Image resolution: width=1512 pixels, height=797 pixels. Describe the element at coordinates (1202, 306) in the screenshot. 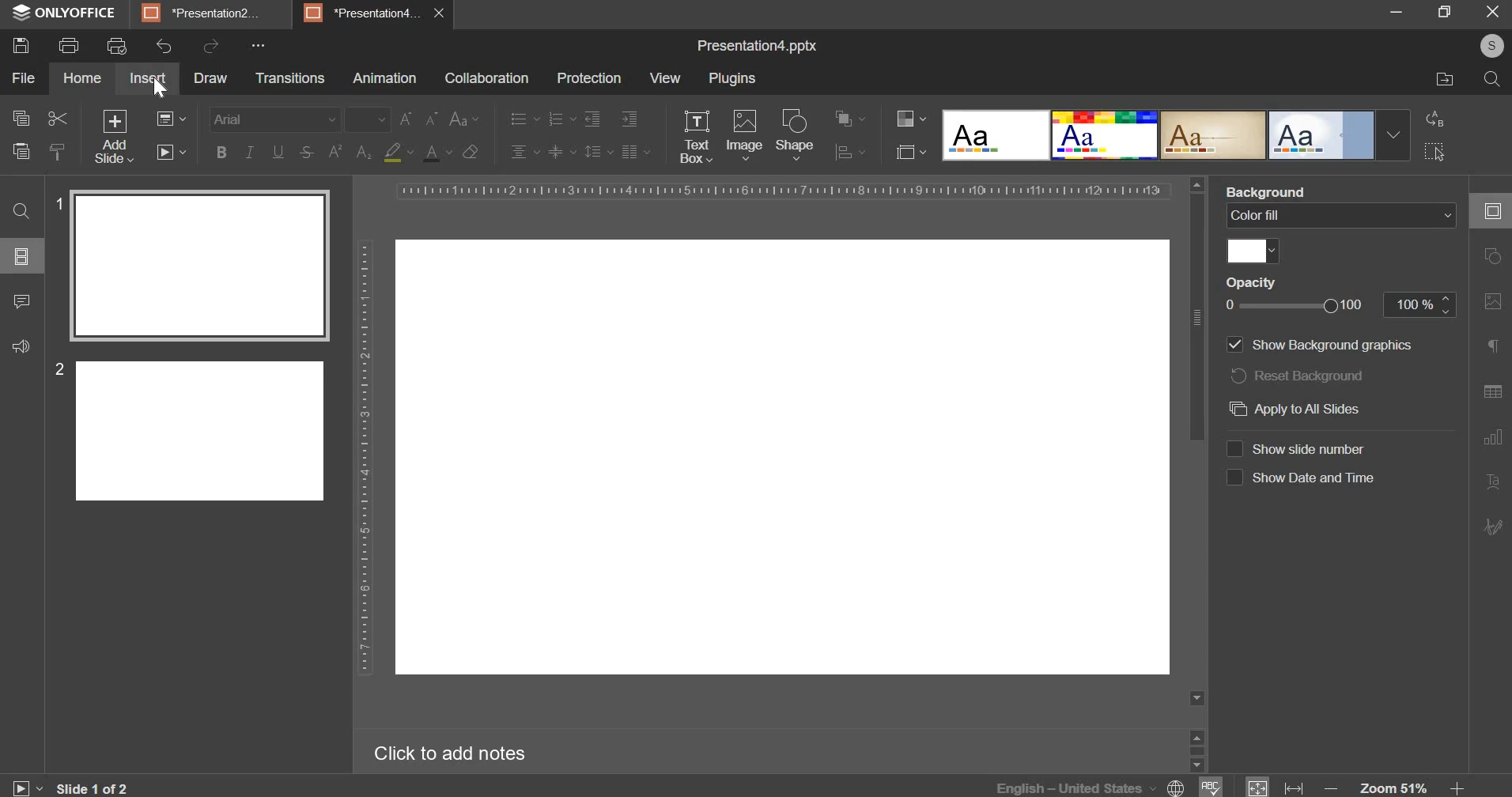

I see `scroll bar` at that location.